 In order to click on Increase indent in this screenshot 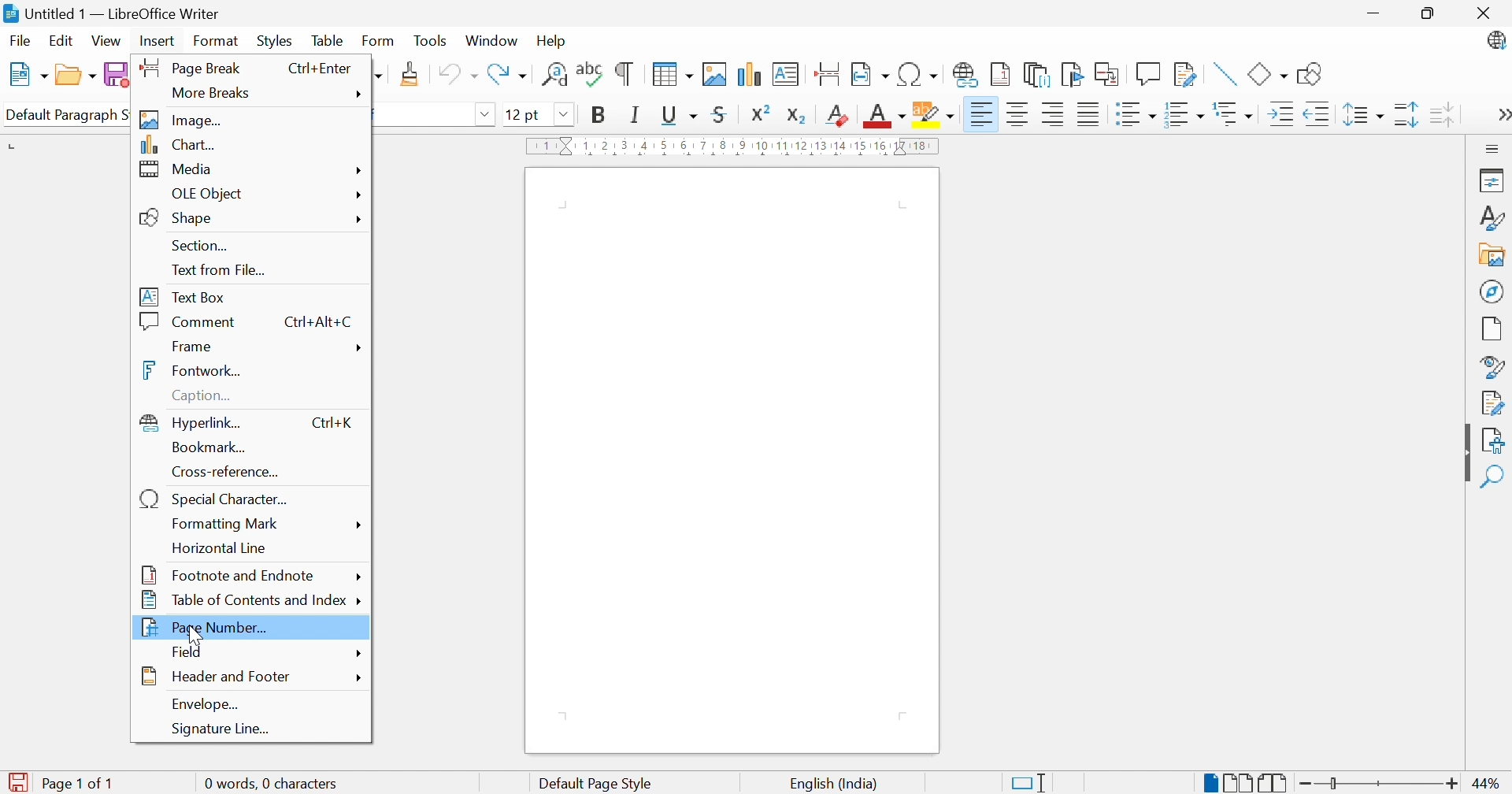, I will do `click(1277, 117)`.